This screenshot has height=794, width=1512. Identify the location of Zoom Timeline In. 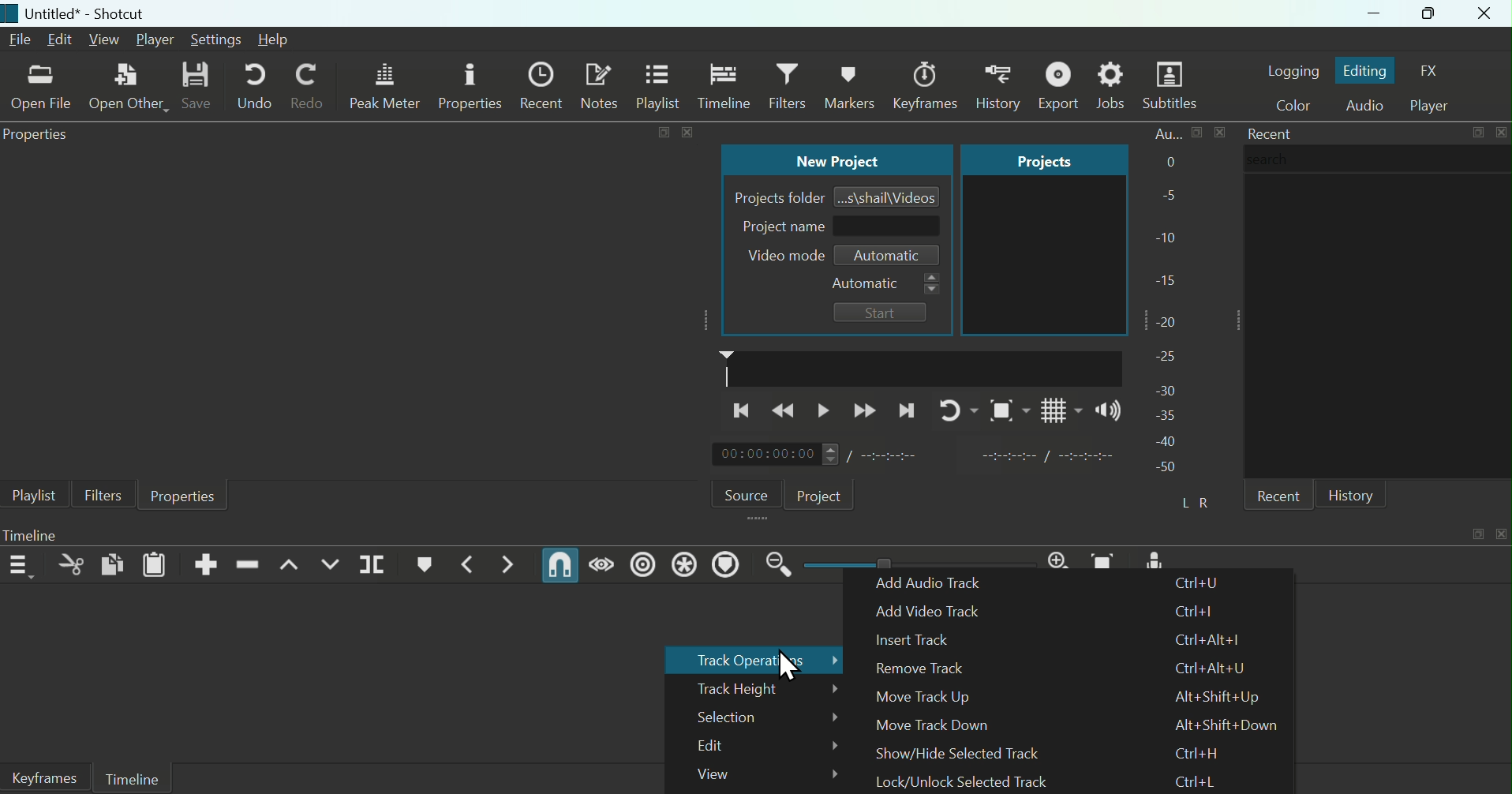
(1057, 559).